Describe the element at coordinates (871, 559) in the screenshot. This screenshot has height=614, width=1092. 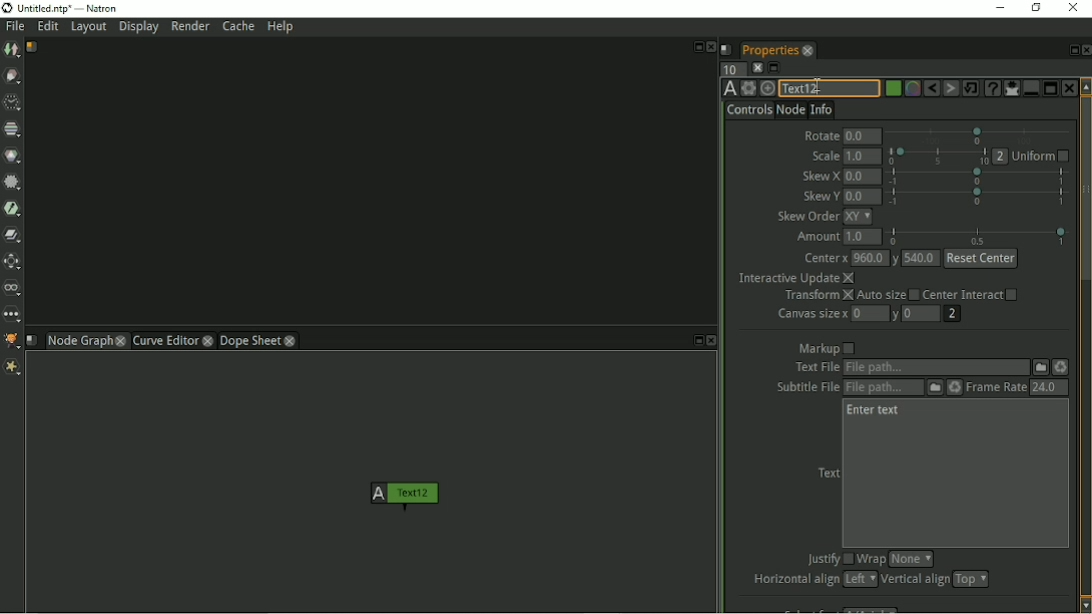
I see `Wrap` at that location.